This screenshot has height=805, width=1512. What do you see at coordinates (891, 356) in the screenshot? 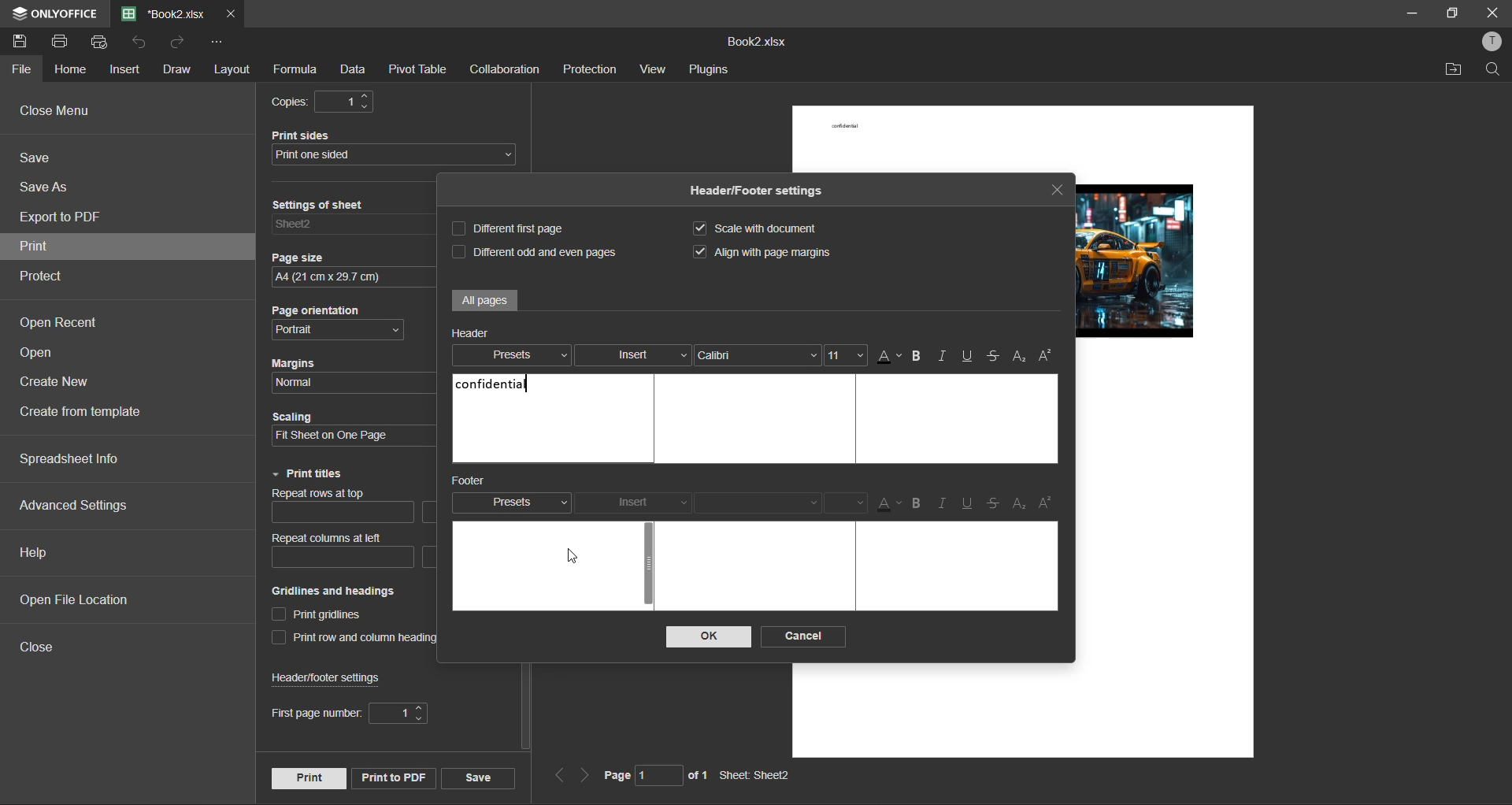
I see `font color` at bounding box center [891, 356].